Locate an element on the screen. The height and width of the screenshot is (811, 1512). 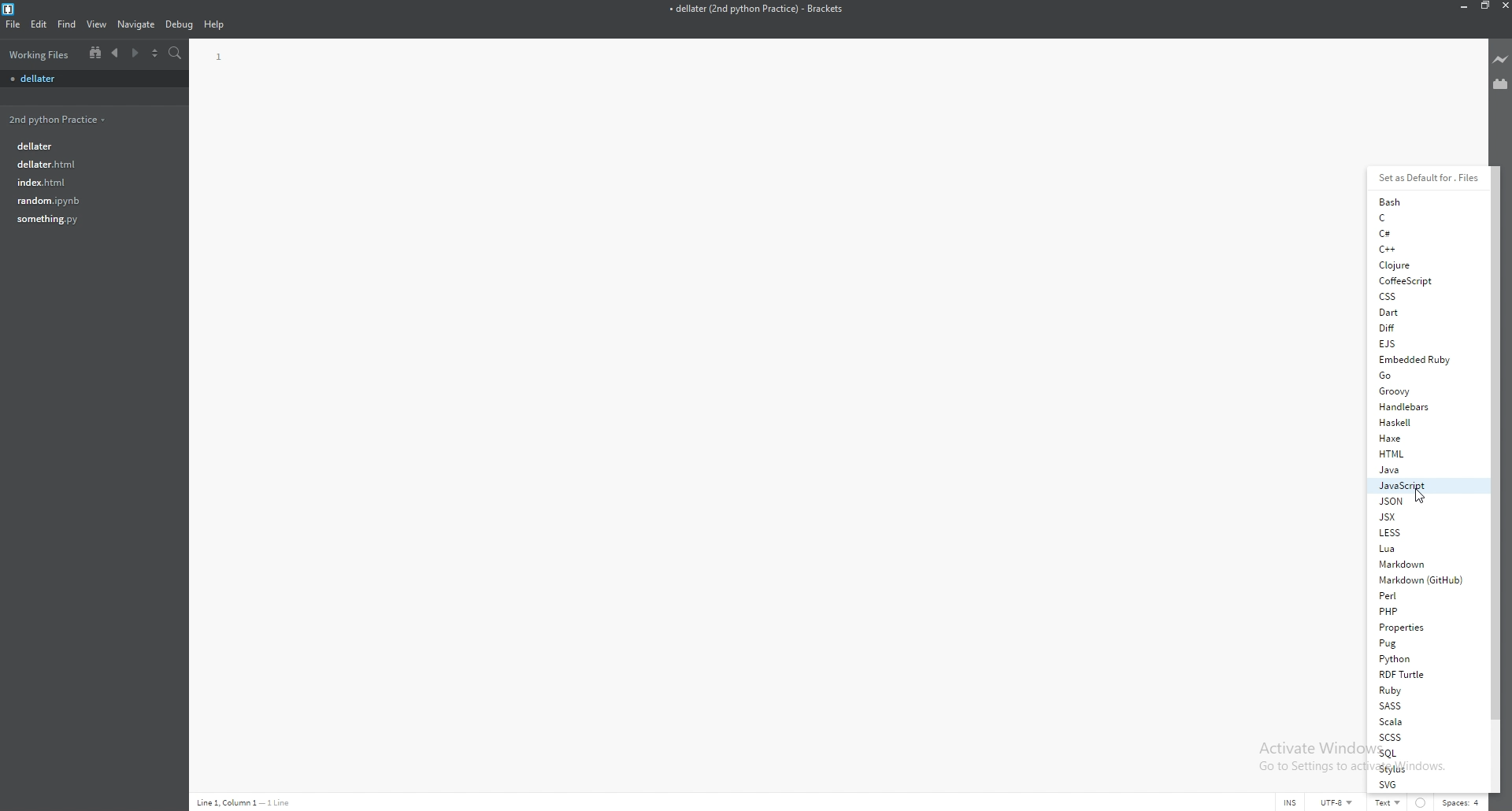
extension manager is located at coordinates (1499, 83).